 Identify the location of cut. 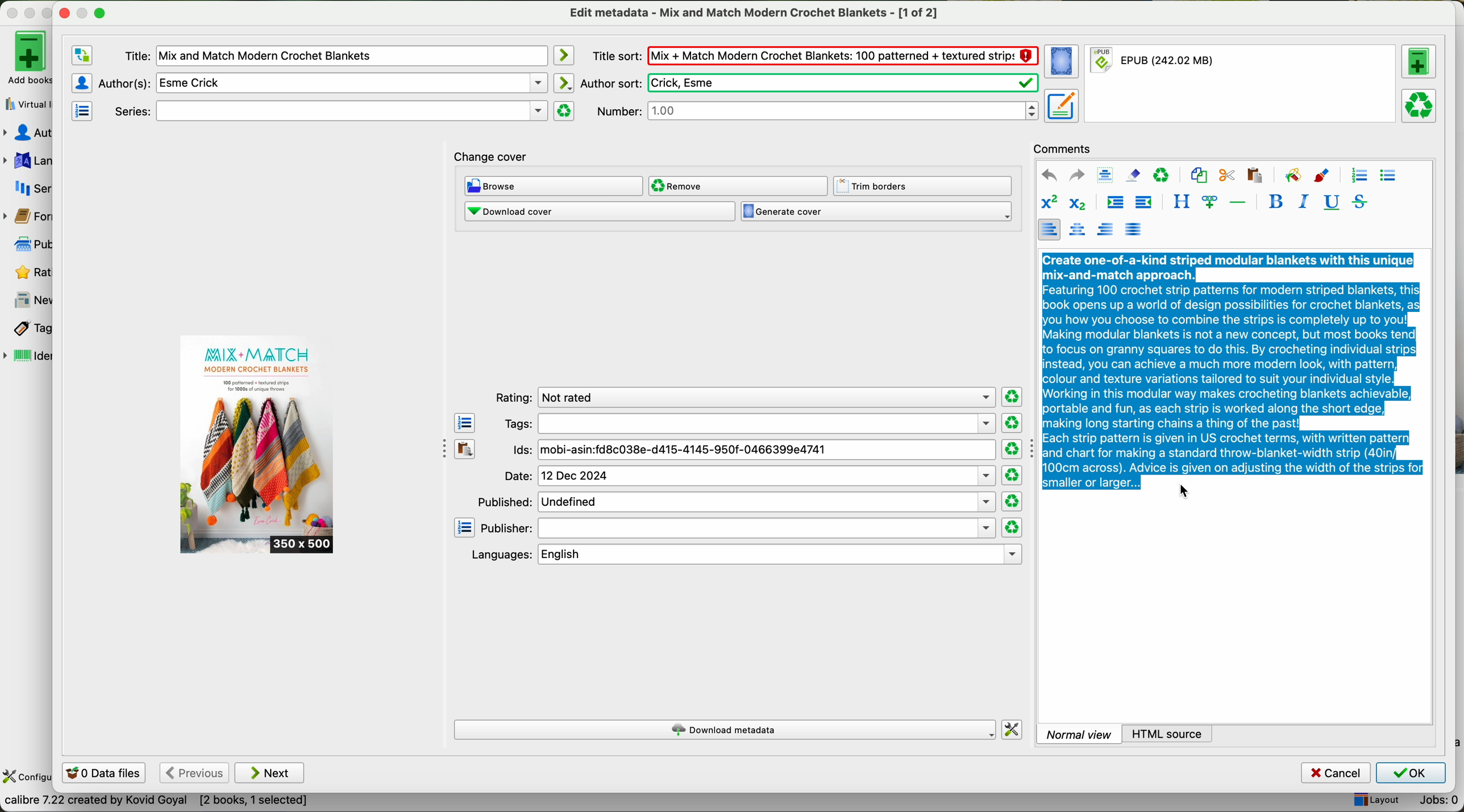
(1227, 176).